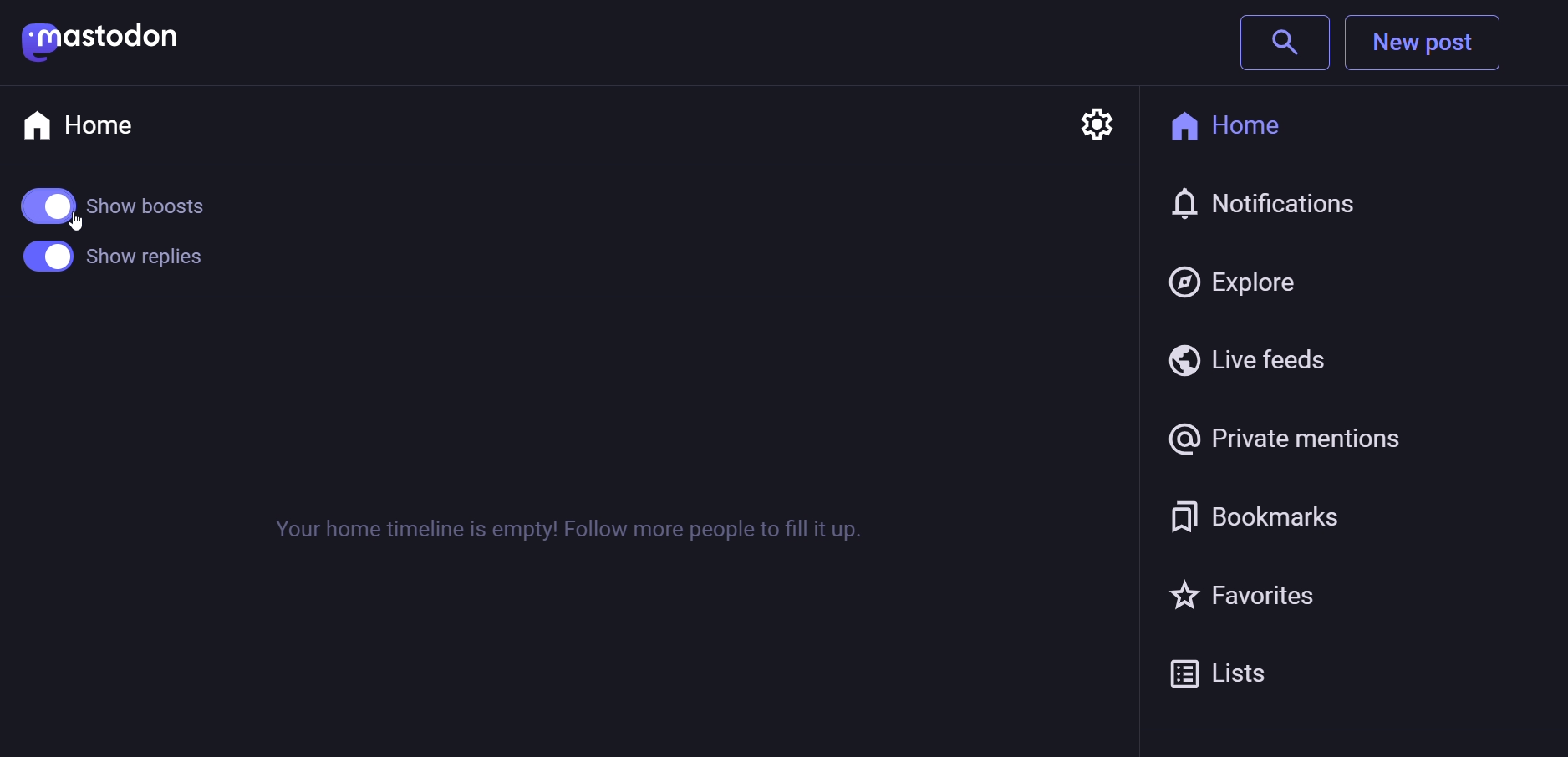 Image resolution: width=1568 pixels, height=757 pixels. Describe the element at coordinates (1248, 358) in the screenshot. I see `live feed` at that location.